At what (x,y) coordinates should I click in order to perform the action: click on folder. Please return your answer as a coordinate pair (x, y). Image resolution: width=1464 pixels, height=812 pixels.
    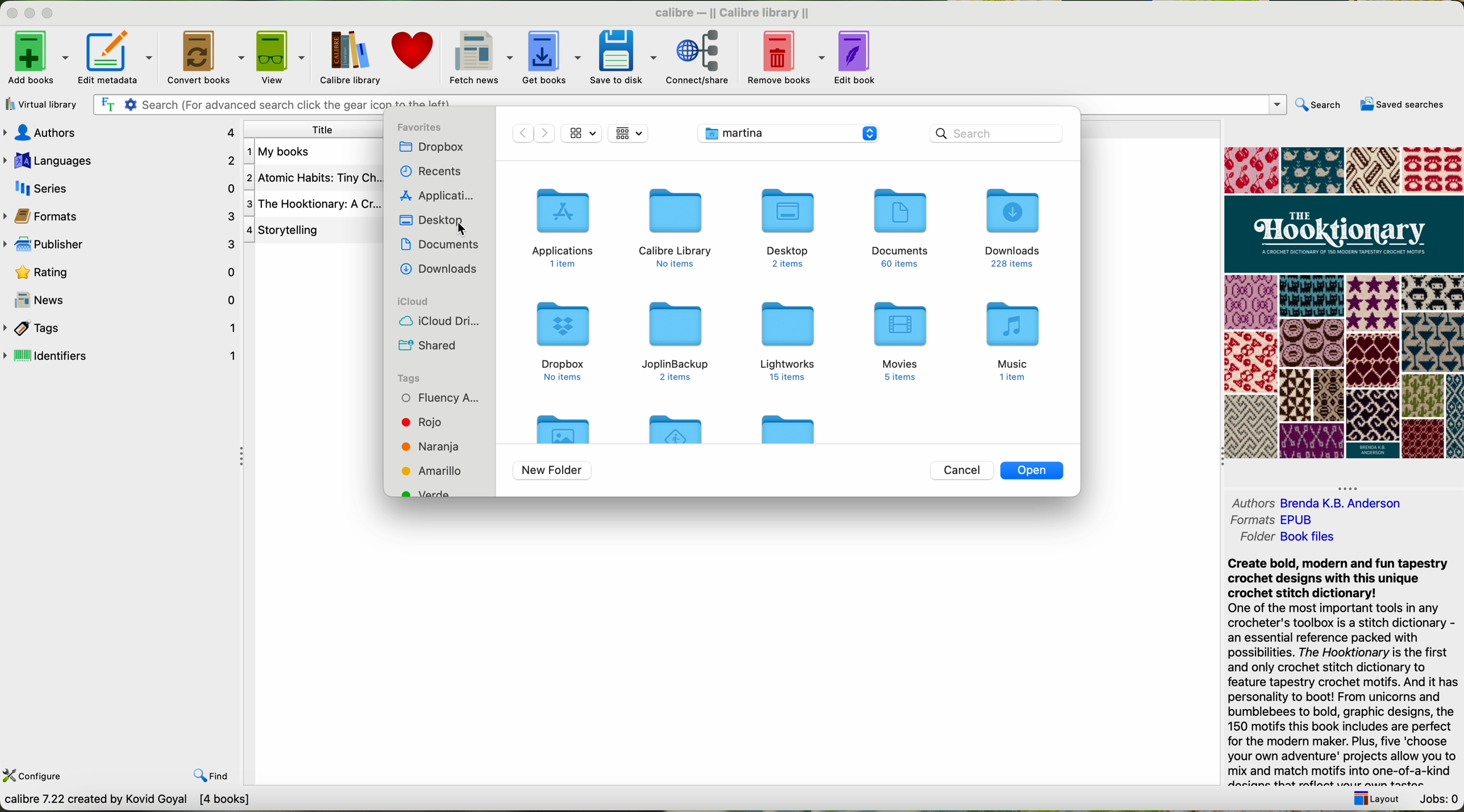
    Looking at the image, I should click on (562, 427).